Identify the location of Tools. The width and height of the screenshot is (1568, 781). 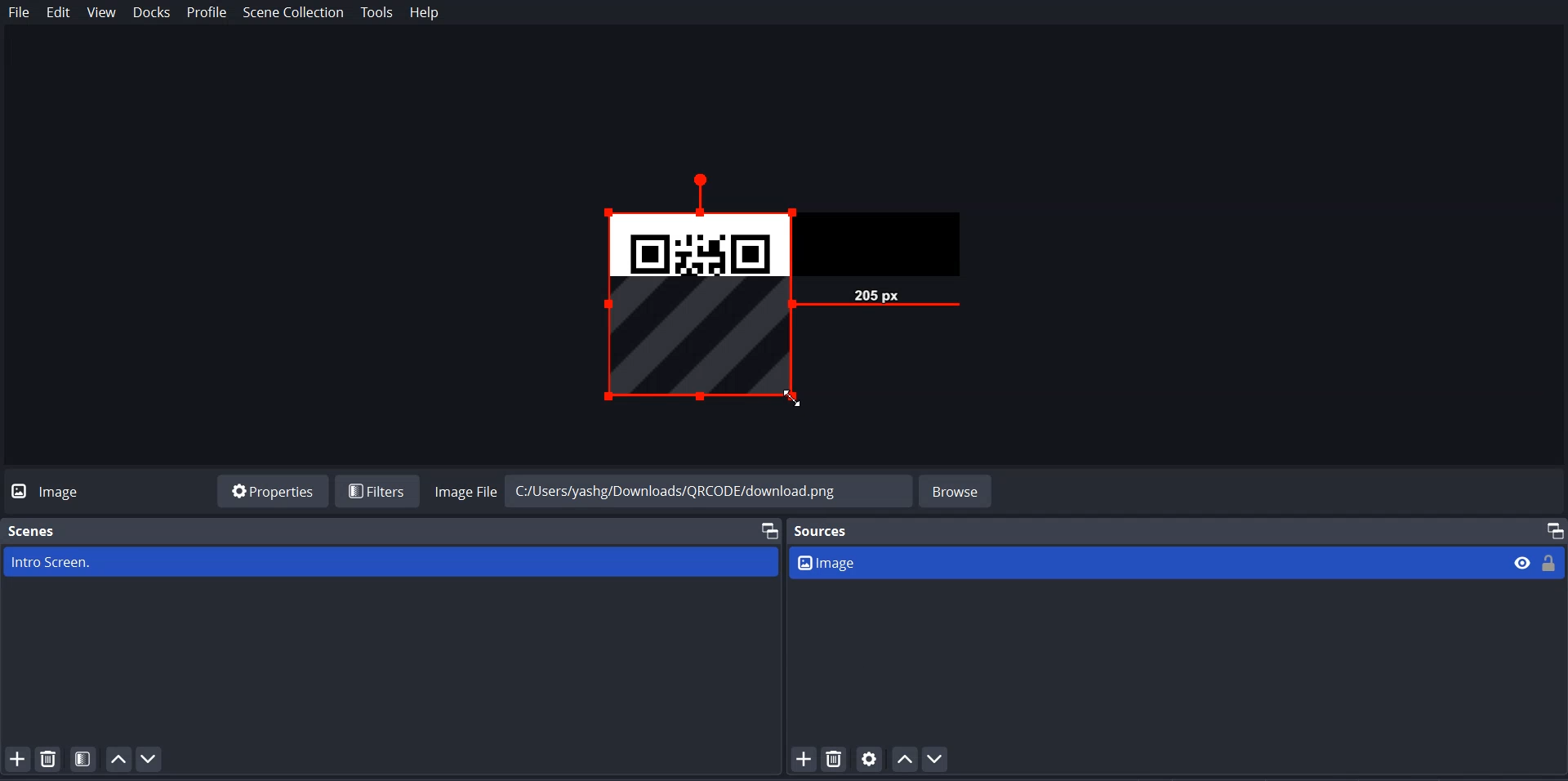
(376, 13).